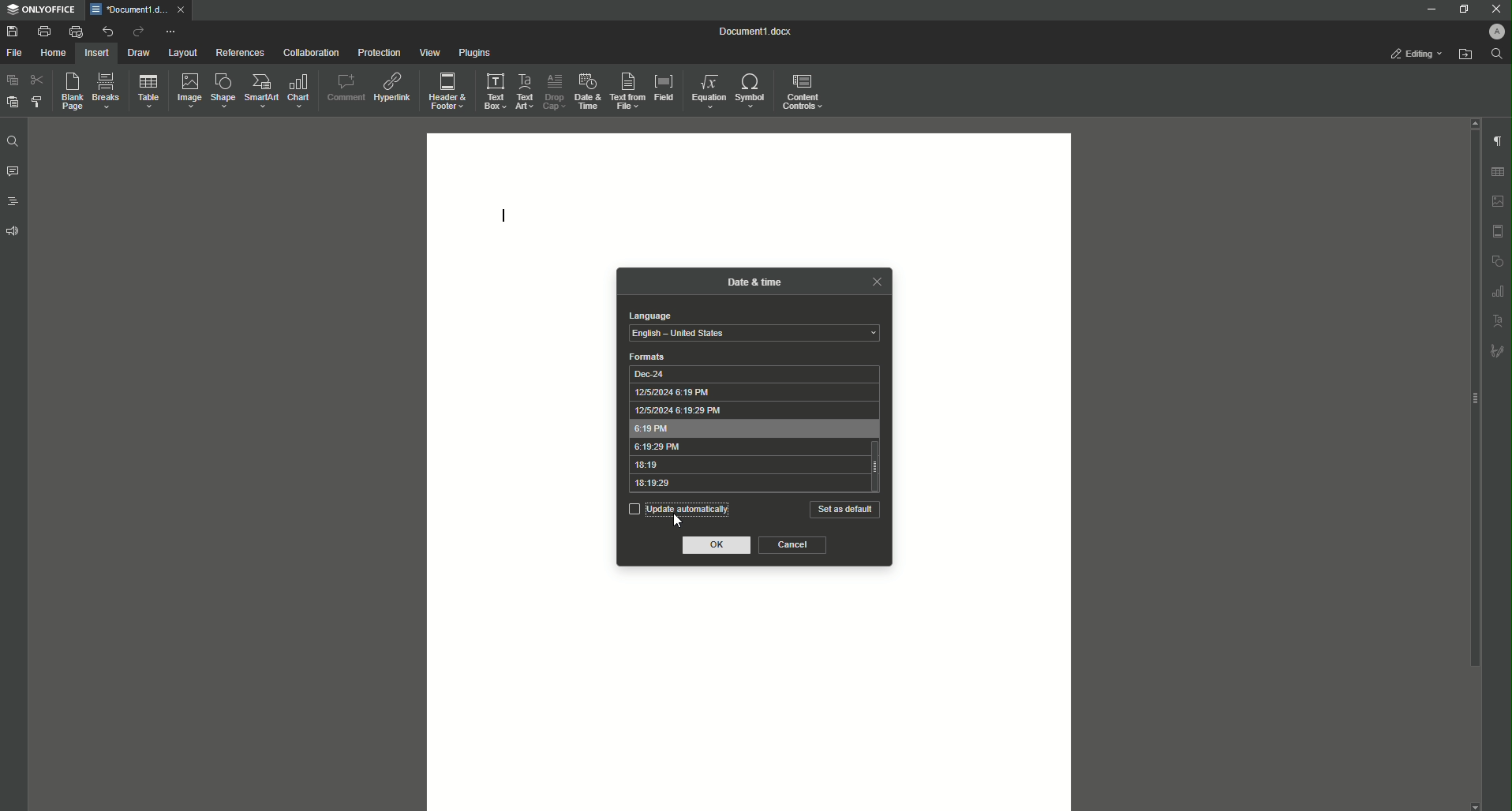 The width and height of the screenshot is (1512, 811). What do you see at coordinates (239, 53) in the screenshot?
I see `References` at bounding box center [239, 53].